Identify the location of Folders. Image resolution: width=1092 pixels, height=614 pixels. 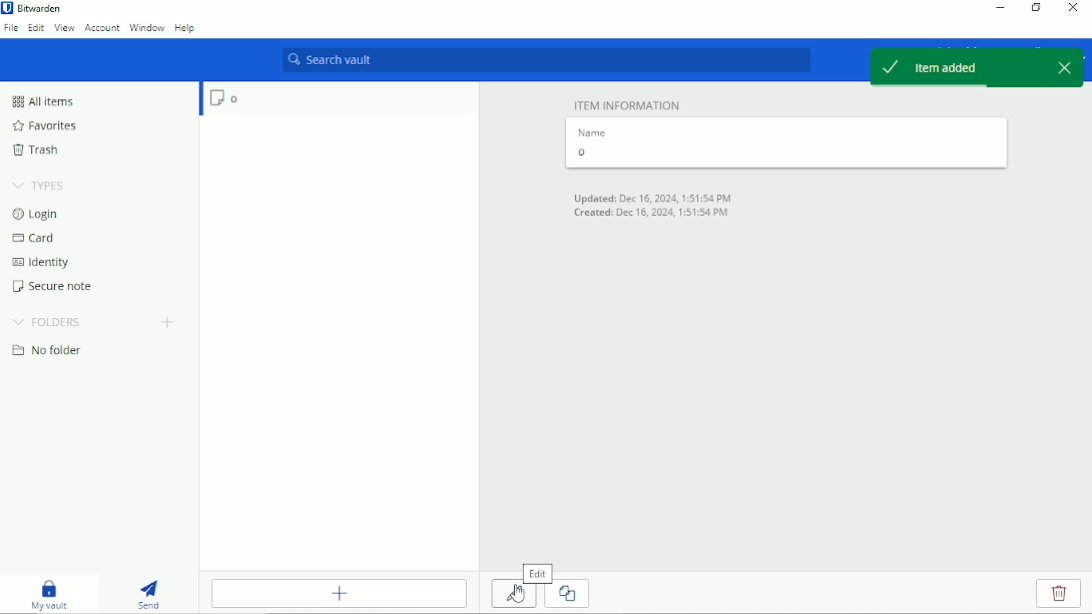
(48, 321).